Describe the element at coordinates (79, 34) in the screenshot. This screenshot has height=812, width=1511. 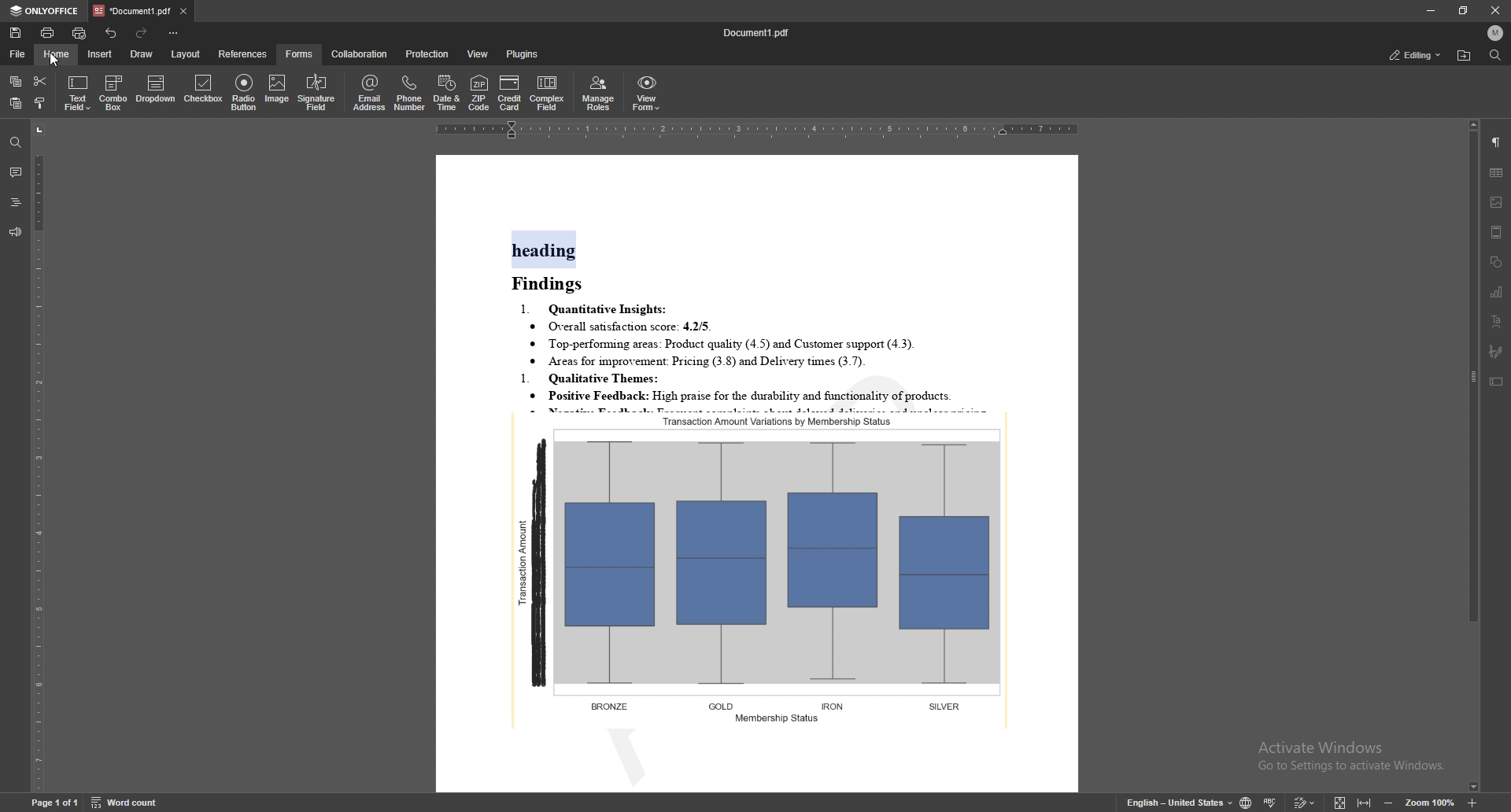
I see `quick print` at that location.